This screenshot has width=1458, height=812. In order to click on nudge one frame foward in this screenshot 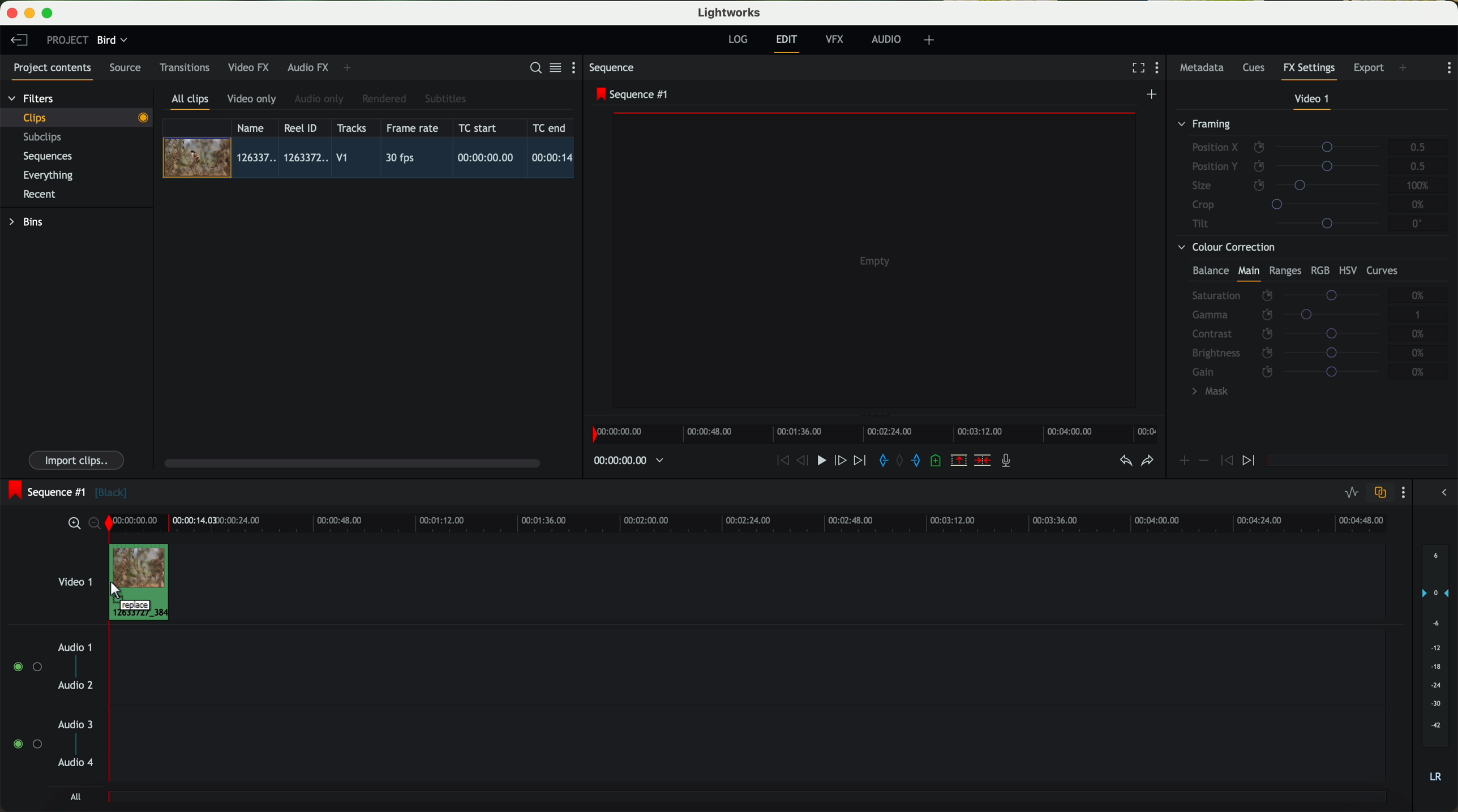, I will do `click(842, 461)`.